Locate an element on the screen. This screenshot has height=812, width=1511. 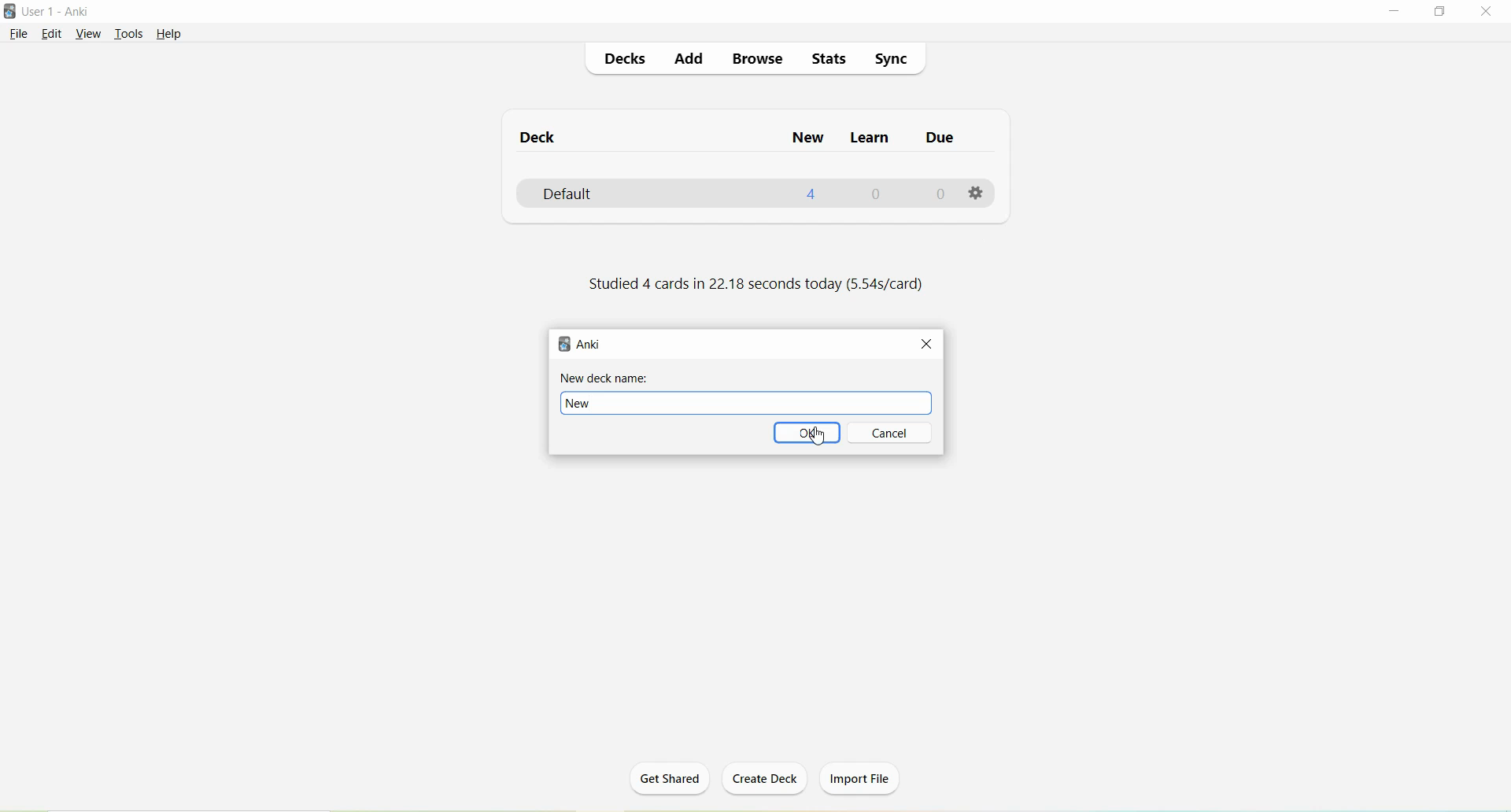
Options is located at coordinates (975, 190).